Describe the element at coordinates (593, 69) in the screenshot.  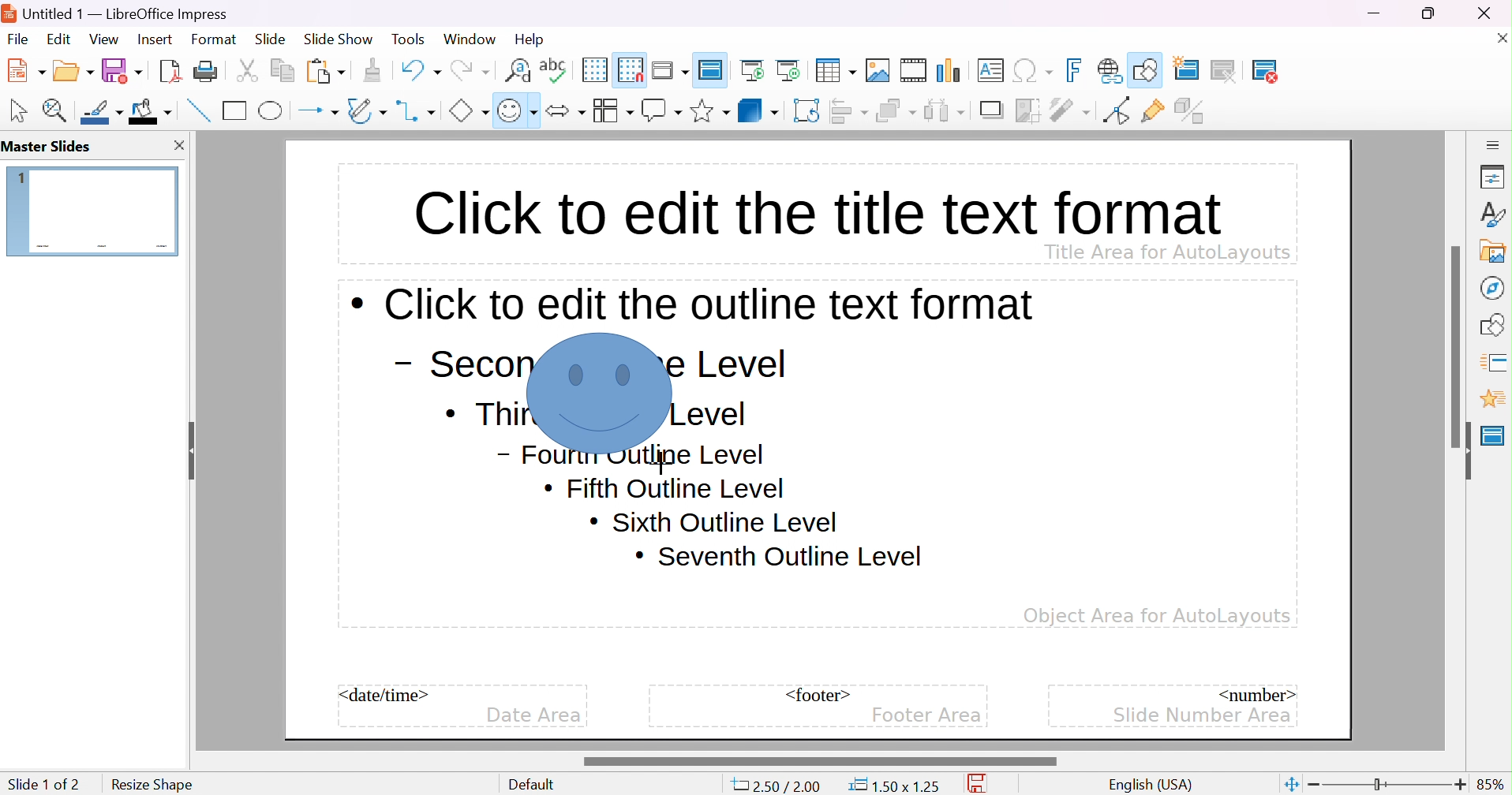
I see `display grid` at that location.